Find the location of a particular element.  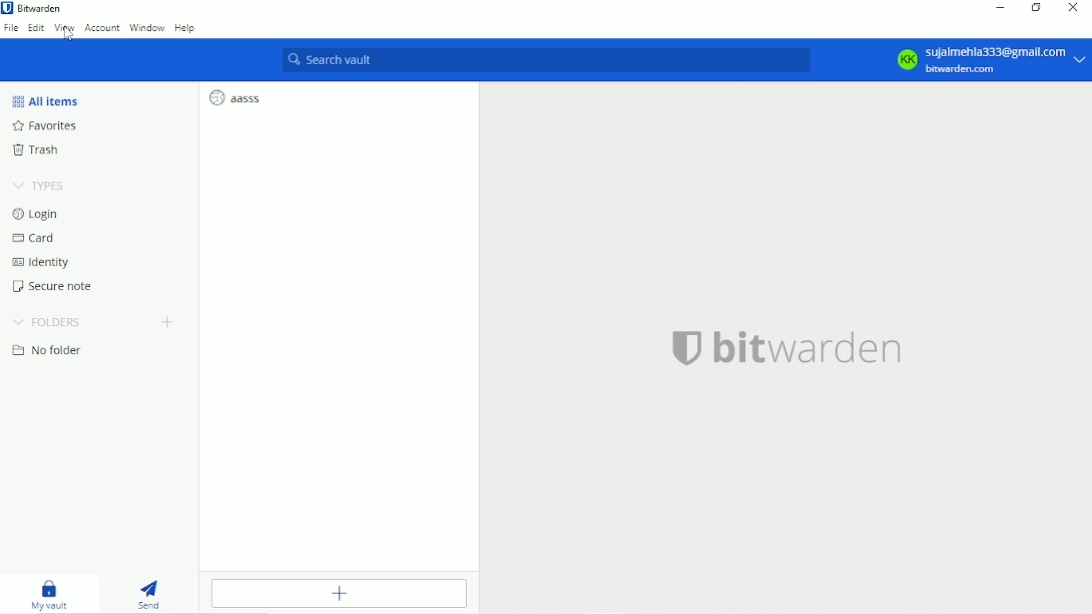

Folders is located at coordinates (50, 322).